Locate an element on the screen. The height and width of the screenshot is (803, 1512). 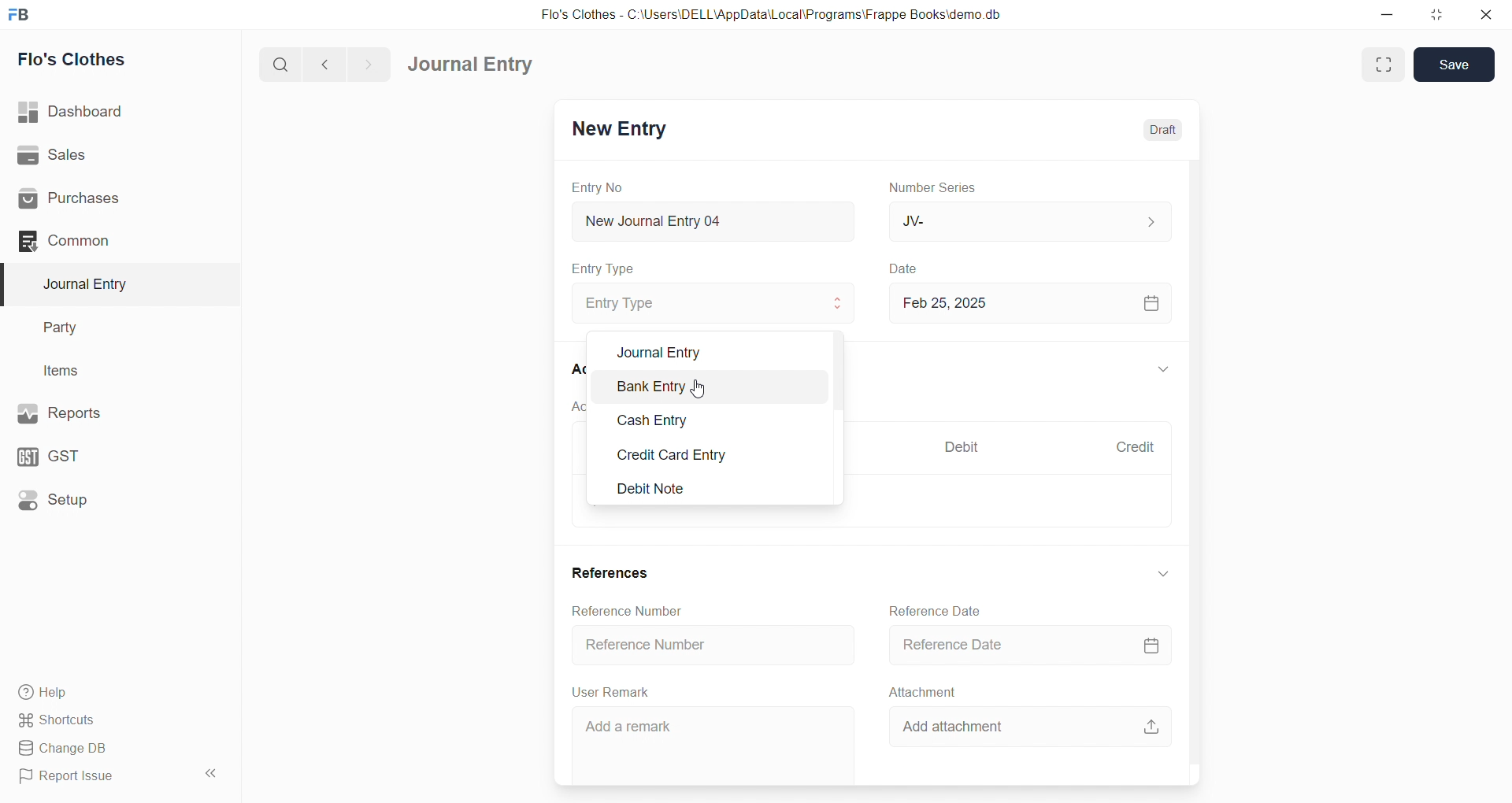
Attachment is located at coordinates (923, 691).